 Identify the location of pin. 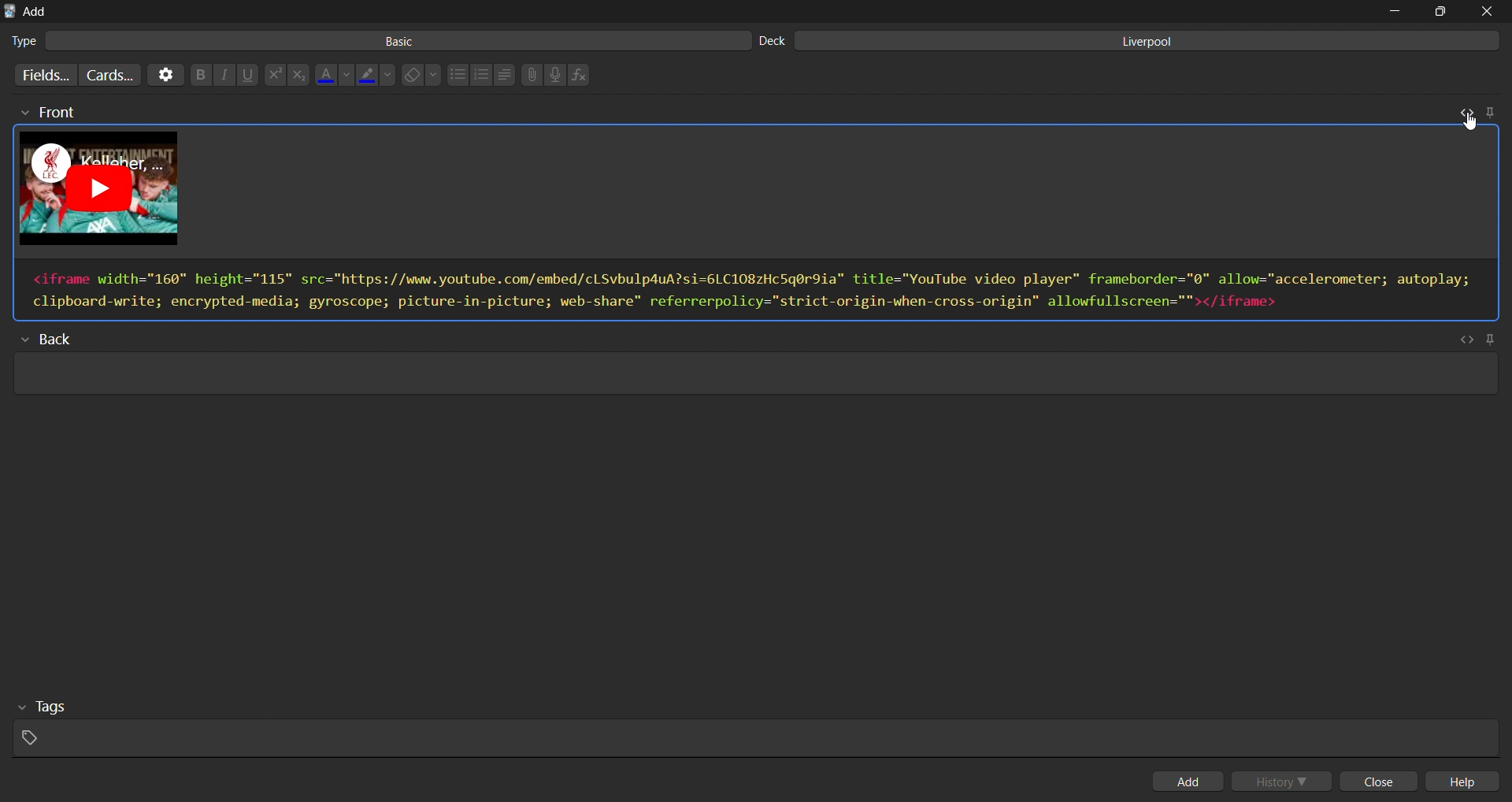
(1489, 111).